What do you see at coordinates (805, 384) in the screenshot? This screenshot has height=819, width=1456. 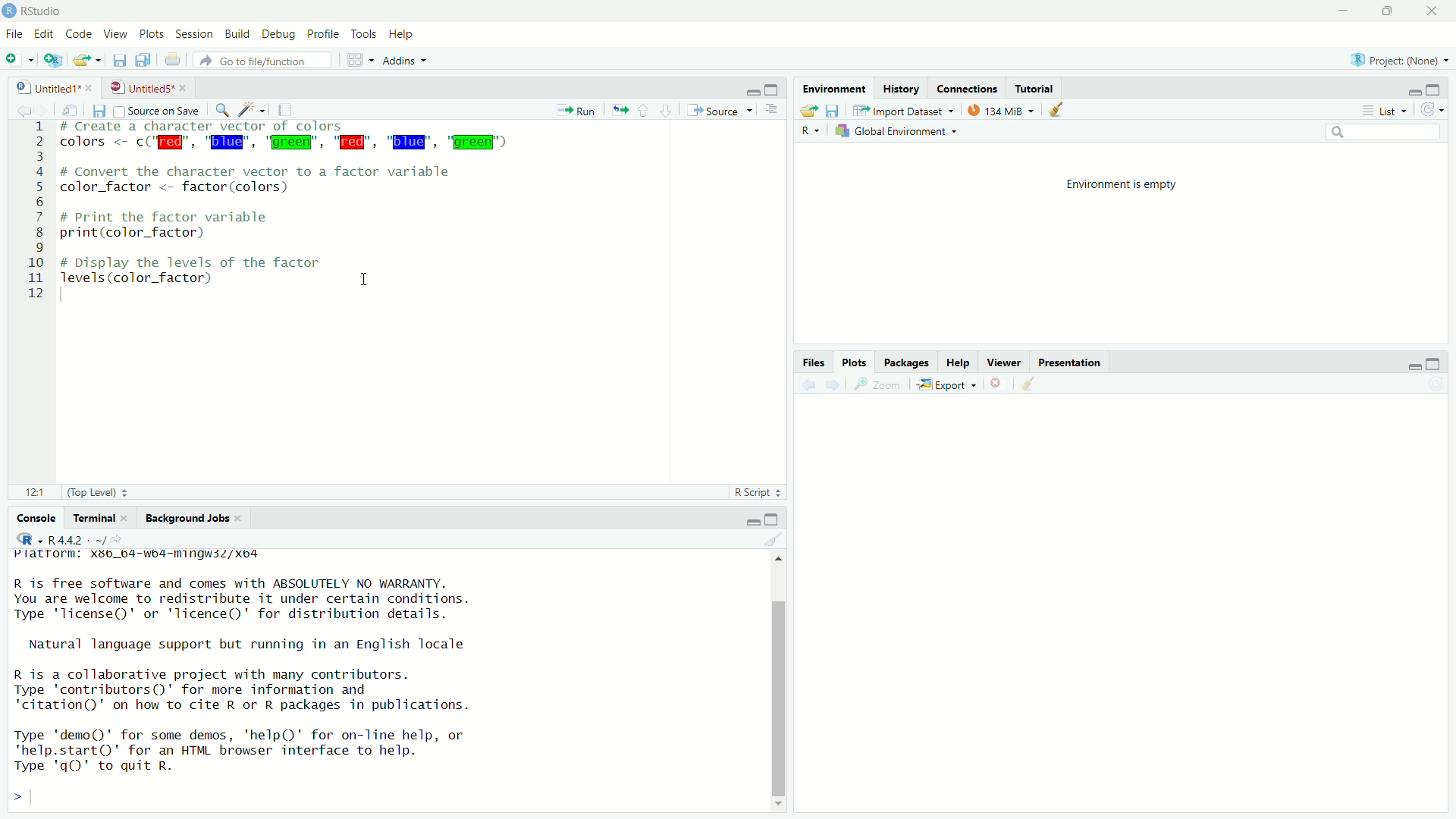 I see `previous plot` at bounding box center [805, 384].